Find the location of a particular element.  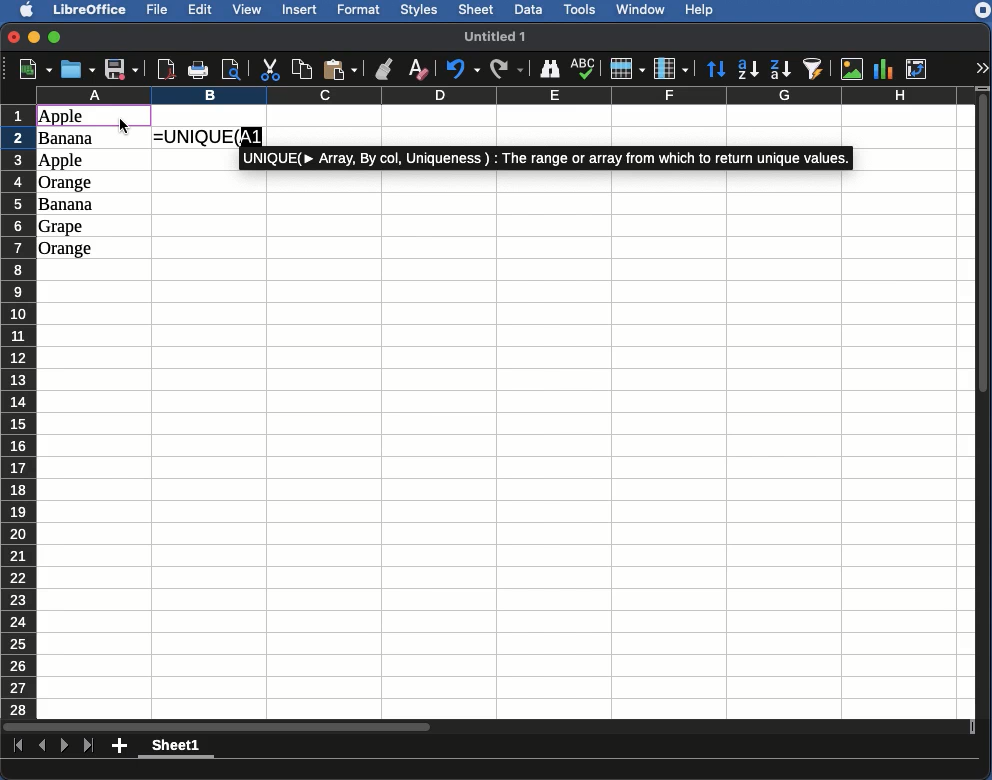

Banana is located at coordinates (71, 139).